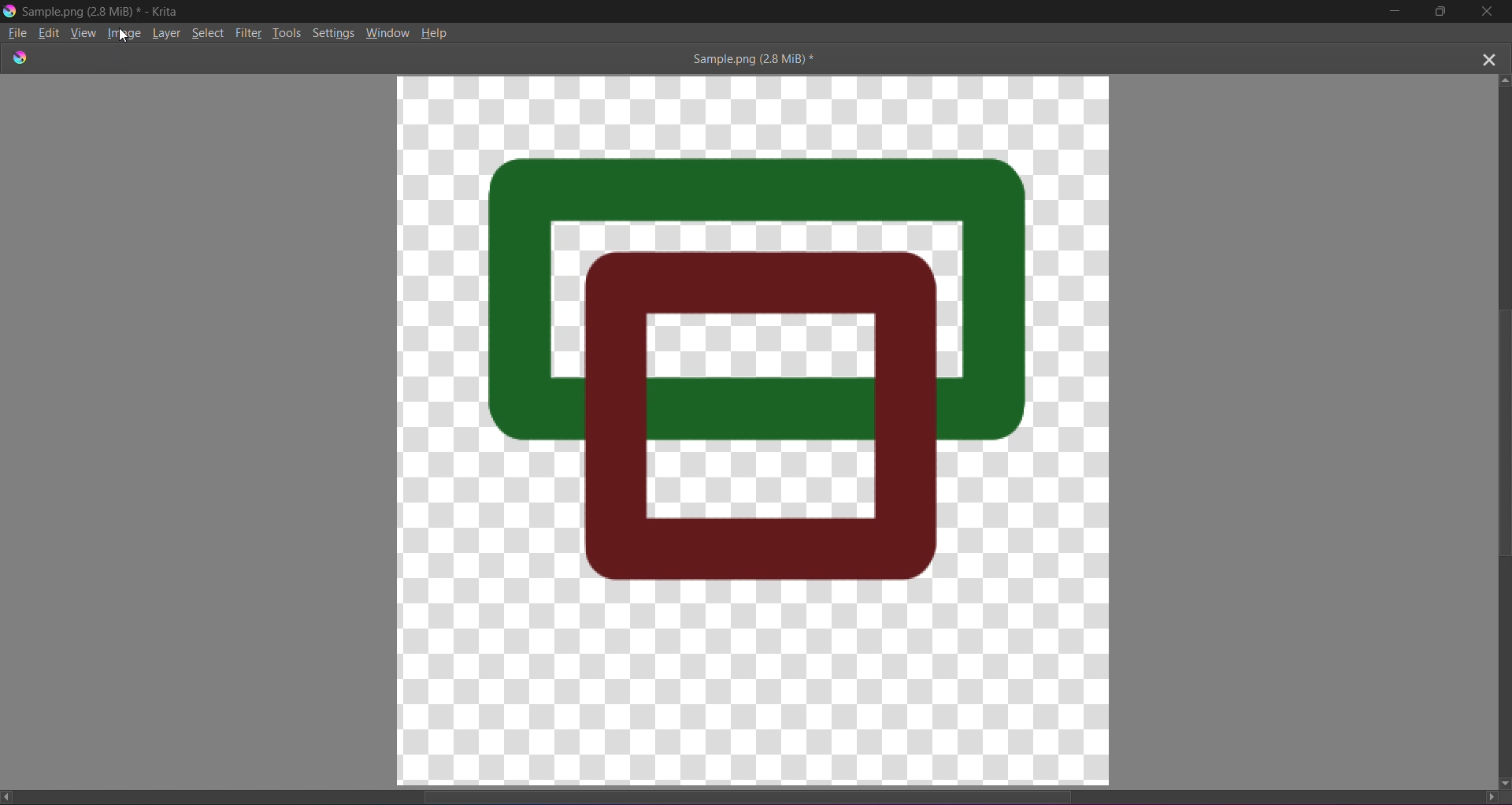 The image size is (1512, 805). Describe the element at coordinates (17, 33) in the screenshot. I see `File` at that location.